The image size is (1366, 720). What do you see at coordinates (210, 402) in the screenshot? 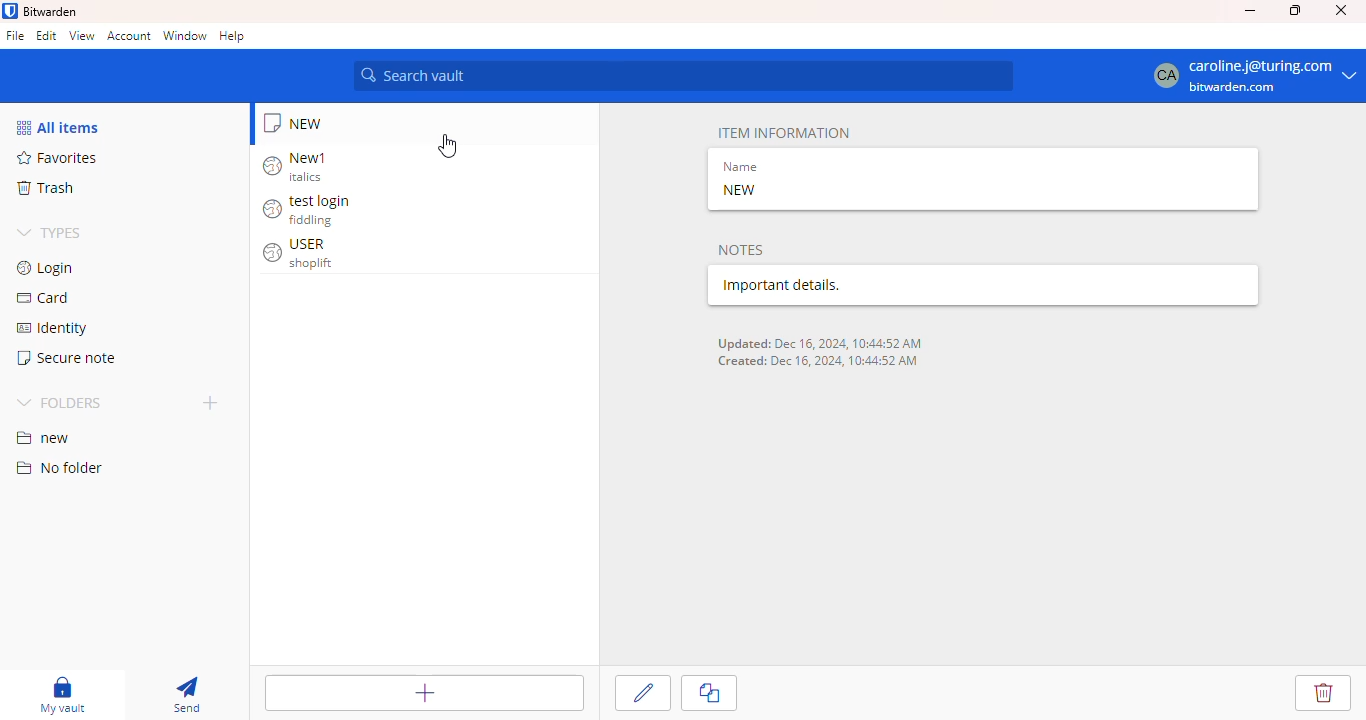
I see `add folder` at bounding box center [210, 402].